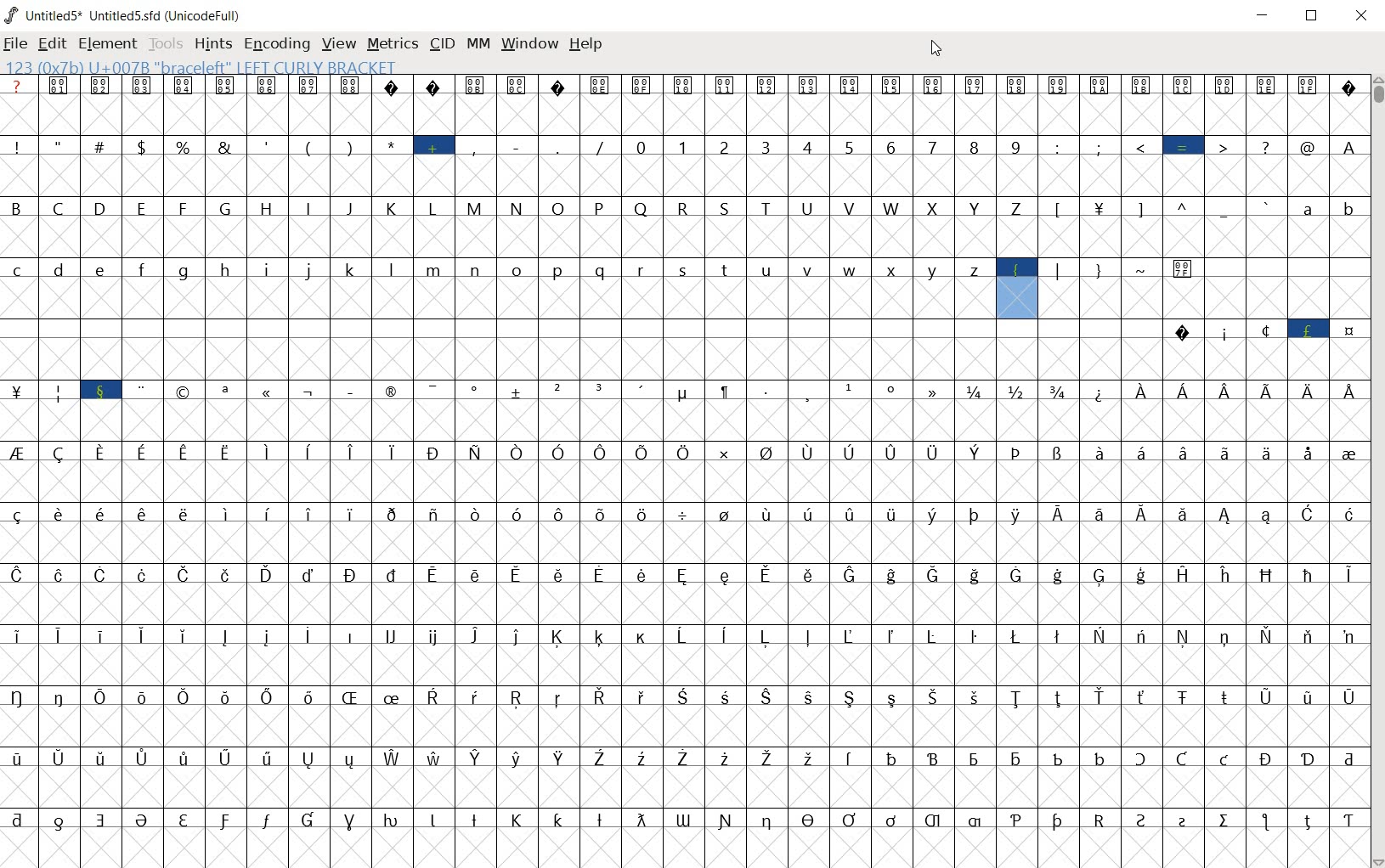  I want to click on HINTS, so click(212, 45).